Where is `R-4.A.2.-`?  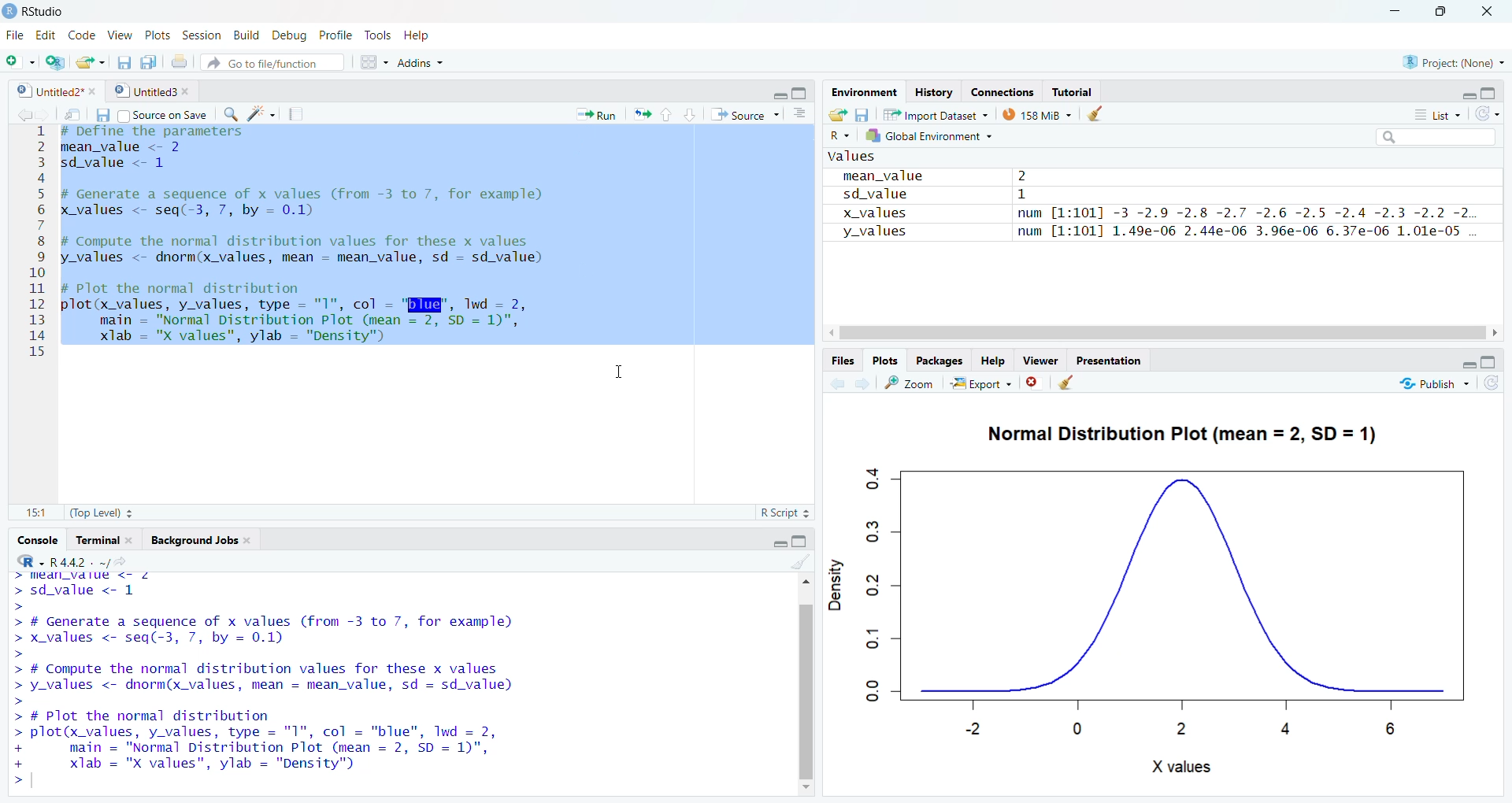
R-4.A.2.- is located at coordinates (81, 561).